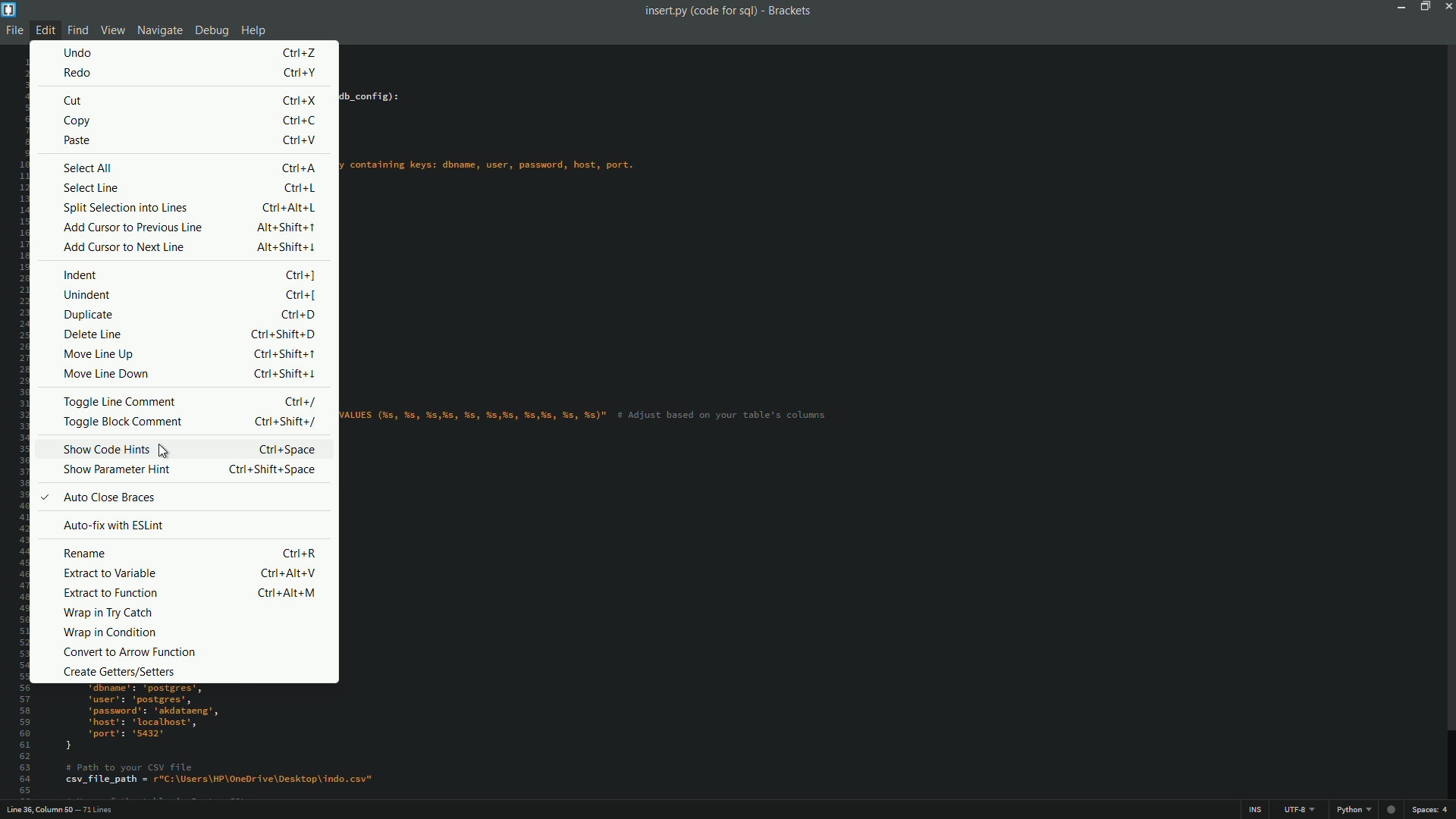 Image resolution: width=1456 pixels, height=819 pixels. What do you see at coordinates (286, 450) in the screenshot?
I see `keyboard shortcut` at bounding box center [286, 450].